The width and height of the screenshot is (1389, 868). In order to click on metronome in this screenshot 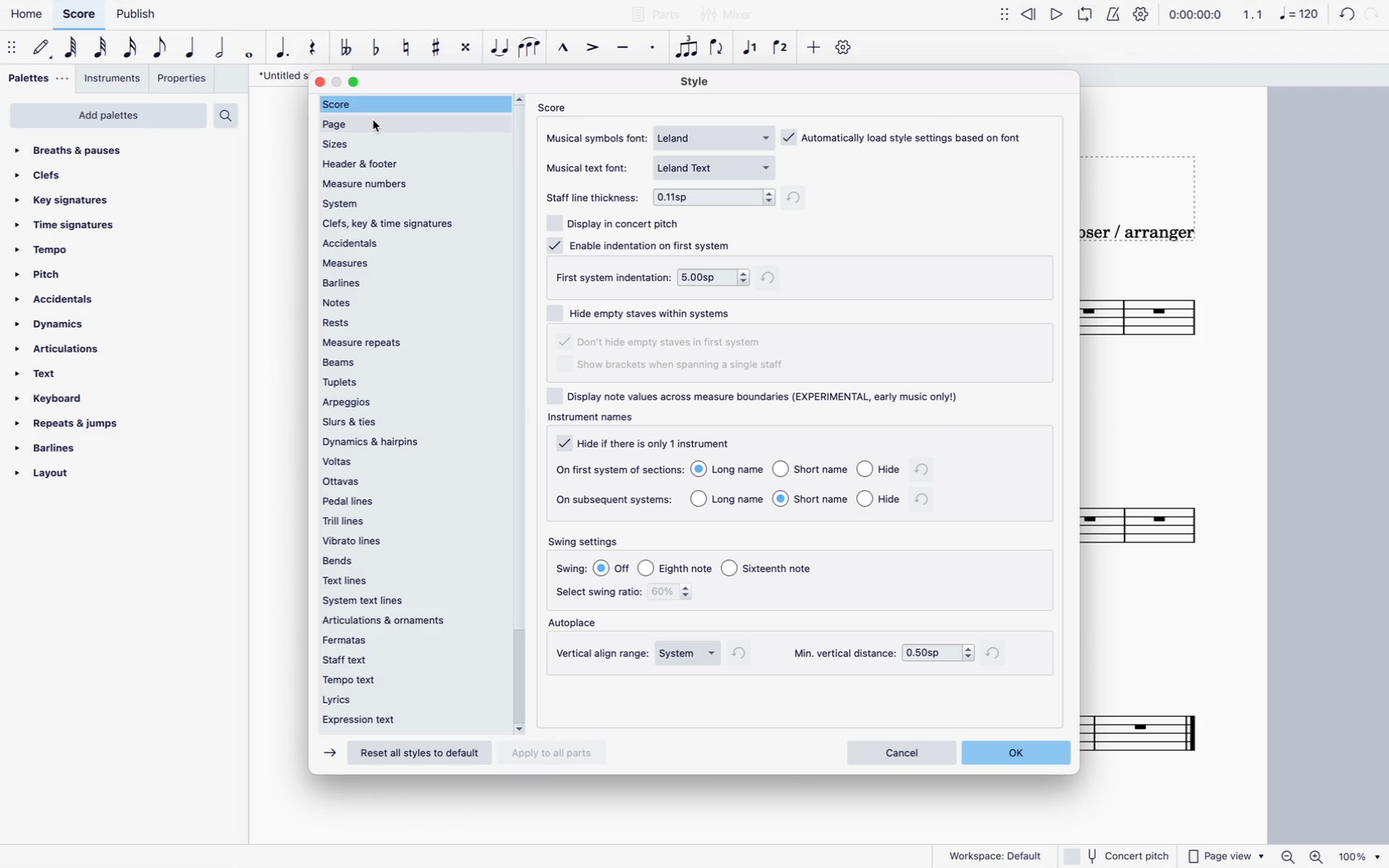, I will do `click(1115, 17)`.